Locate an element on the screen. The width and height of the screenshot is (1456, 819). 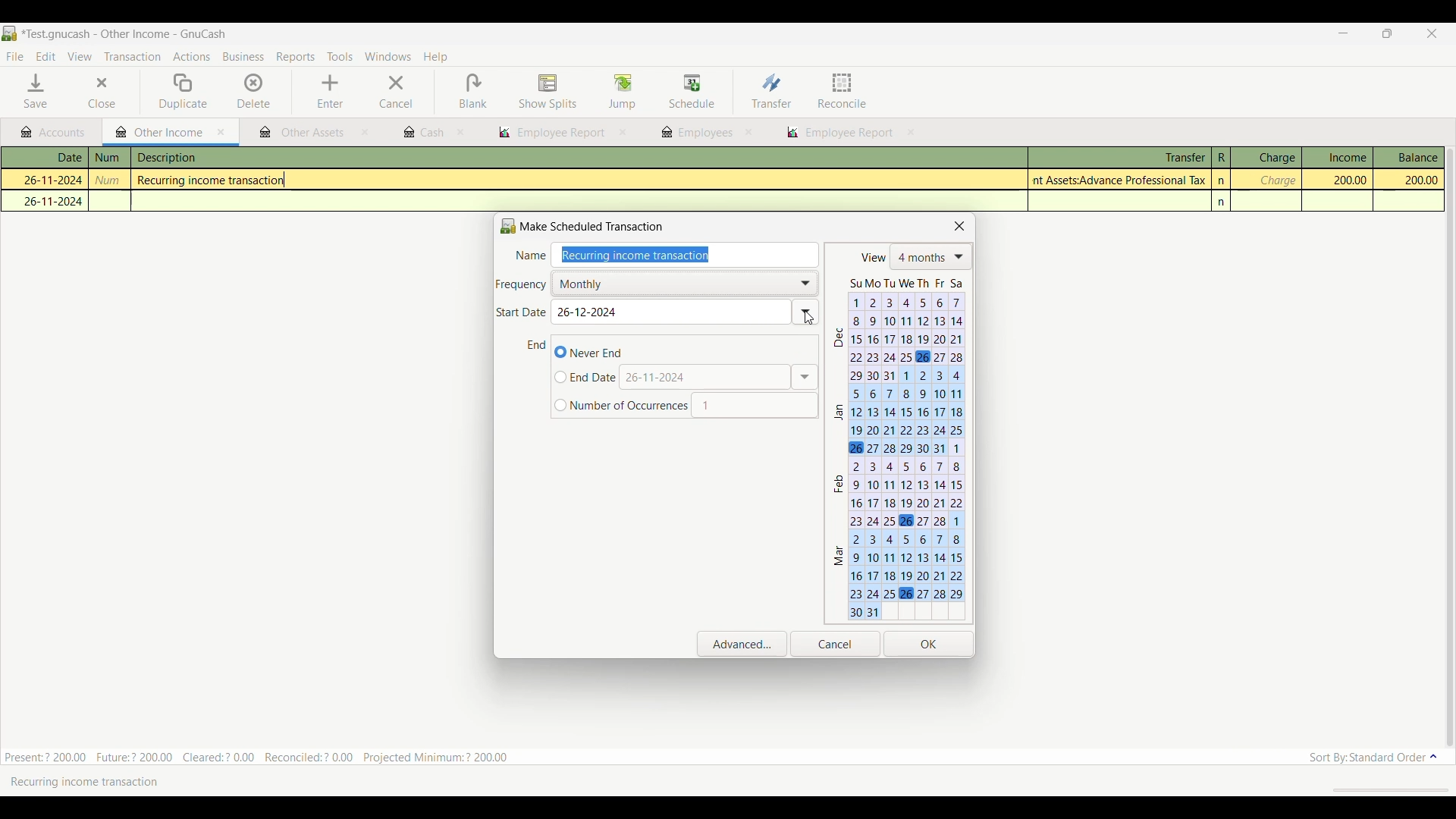
Enter name of transaction is located at coordinates (689, 256).